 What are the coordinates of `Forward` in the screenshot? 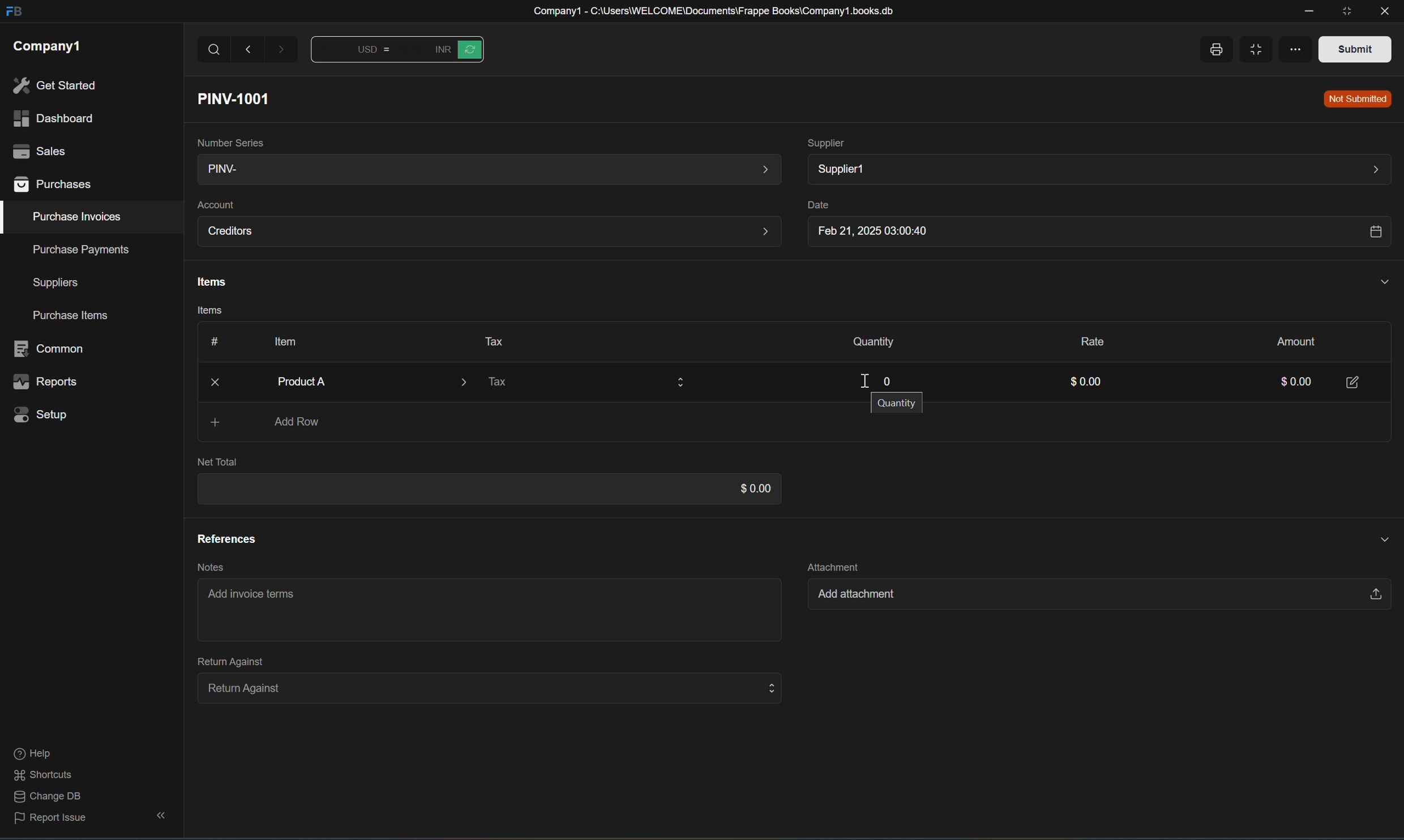 It's located at (283, 52).